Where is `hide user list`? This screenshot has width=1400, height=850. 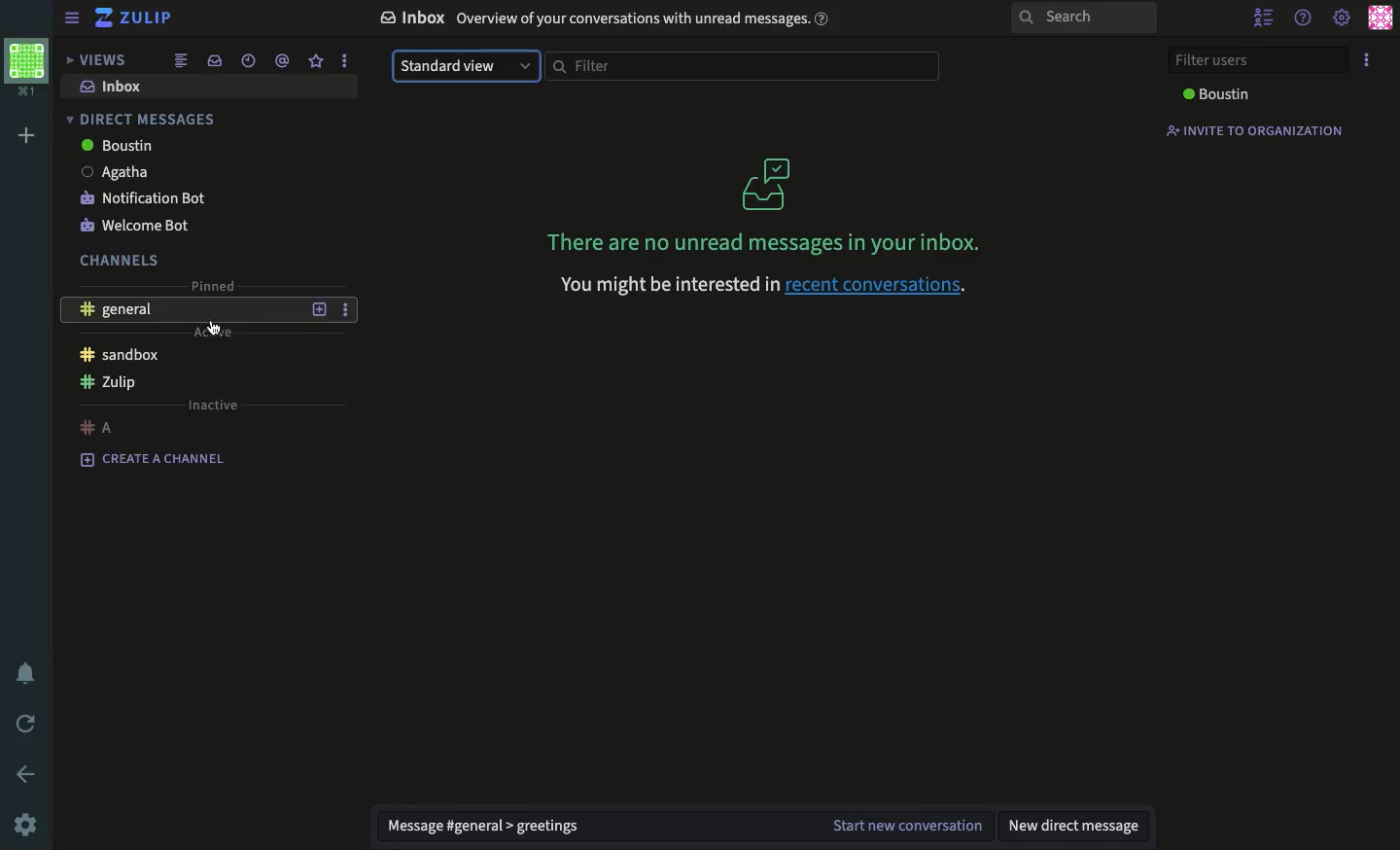 hide user list is located at coordinates (1264, 15).